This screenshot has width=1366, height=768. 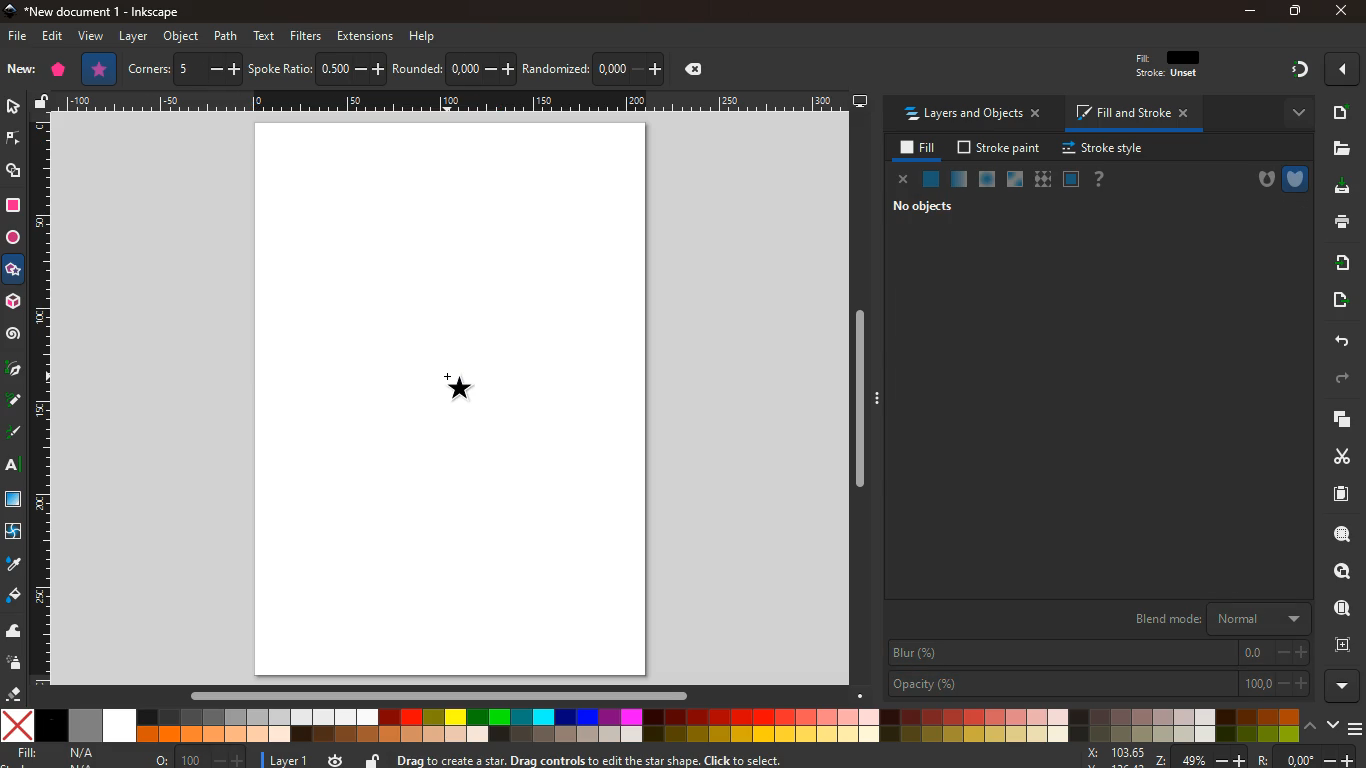 What do you see at coordinates (438, 315) in the screenshot?
I see `shape` at bounding box center [438, 315].